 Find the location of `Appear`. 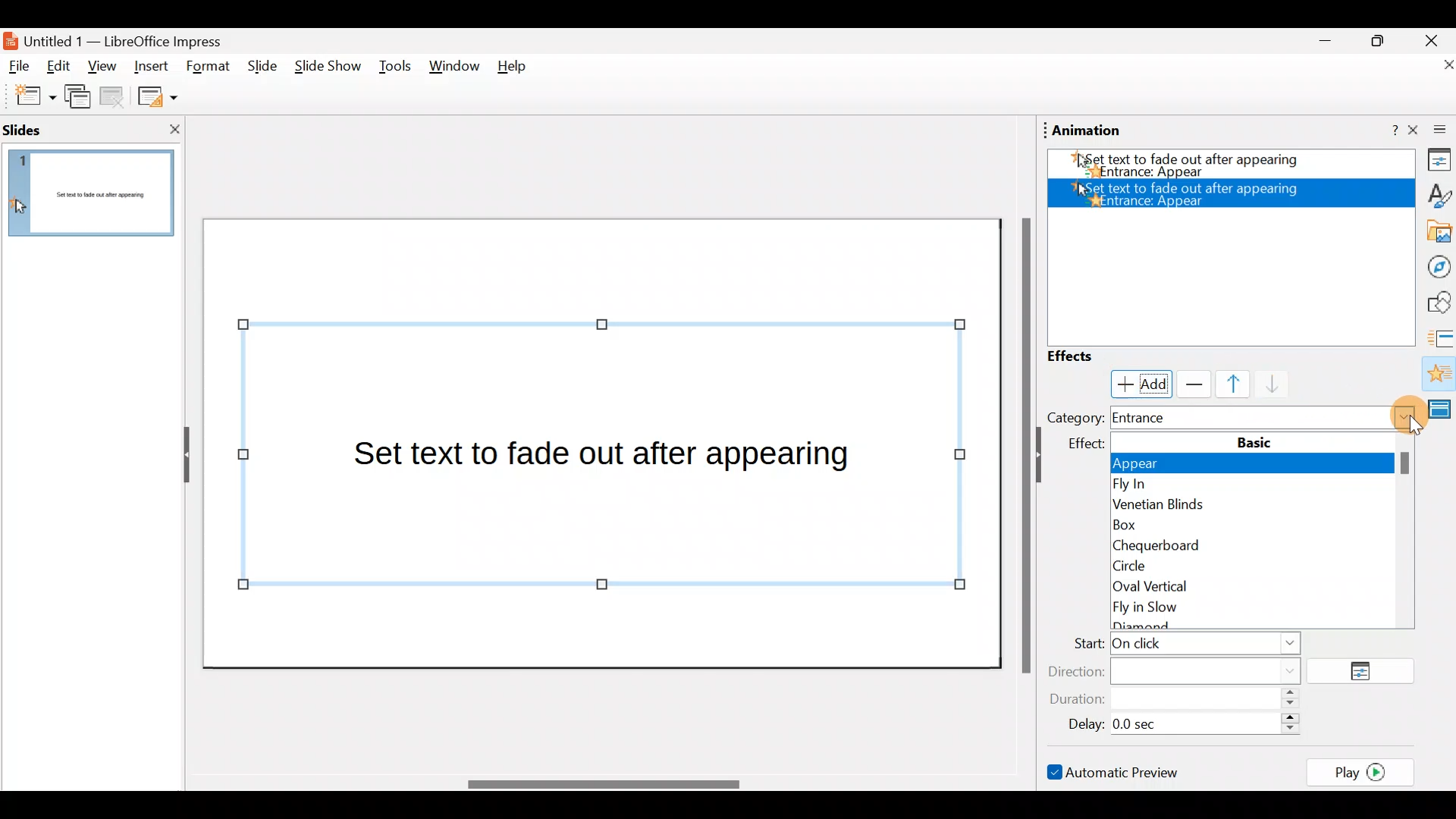

Appear is located at coordinates (1260, 466).